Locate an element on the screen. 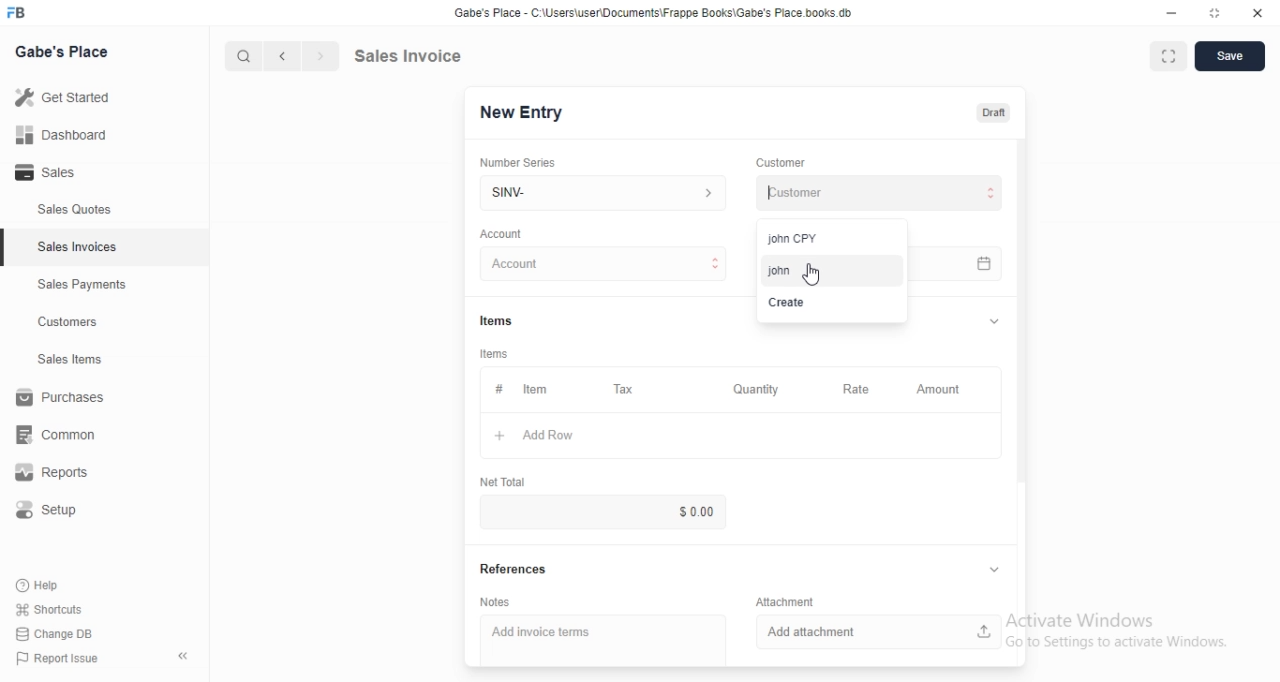 The width and height of the screenshot is (1280, 682). Getstared is located at coordinates (68, 99).